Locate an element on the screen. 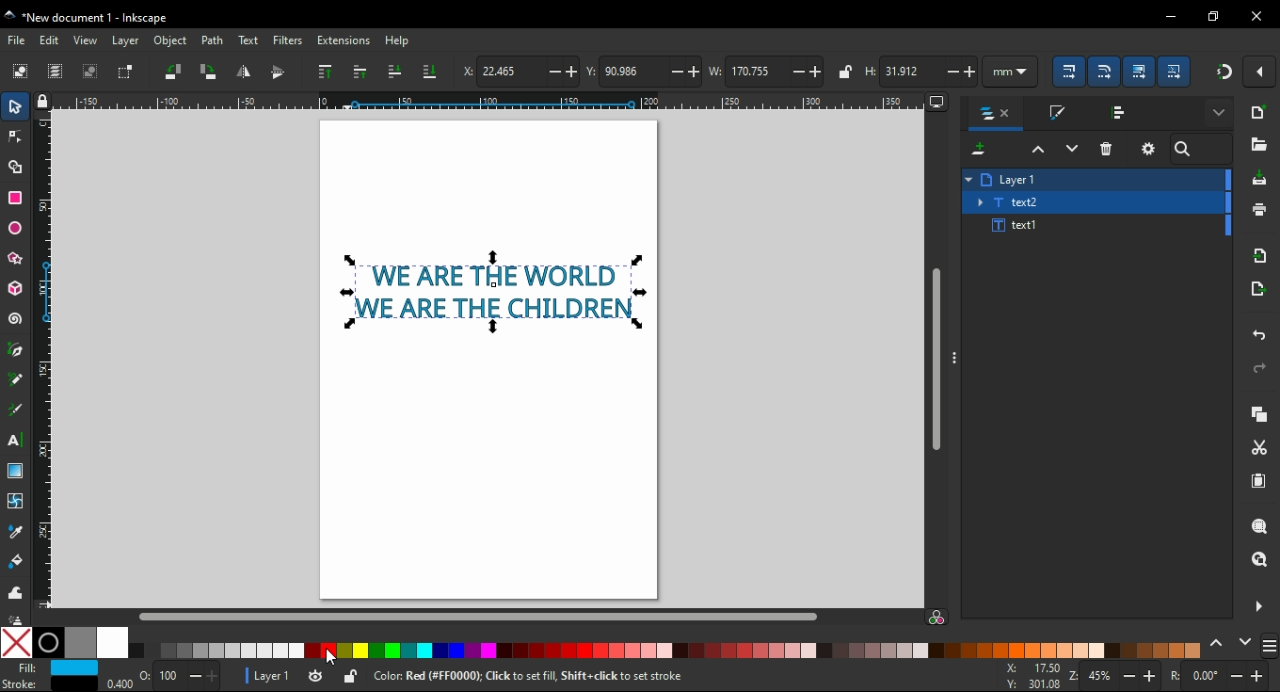 The image size is (1280, 692). import is located at coordinates (1259, 257).